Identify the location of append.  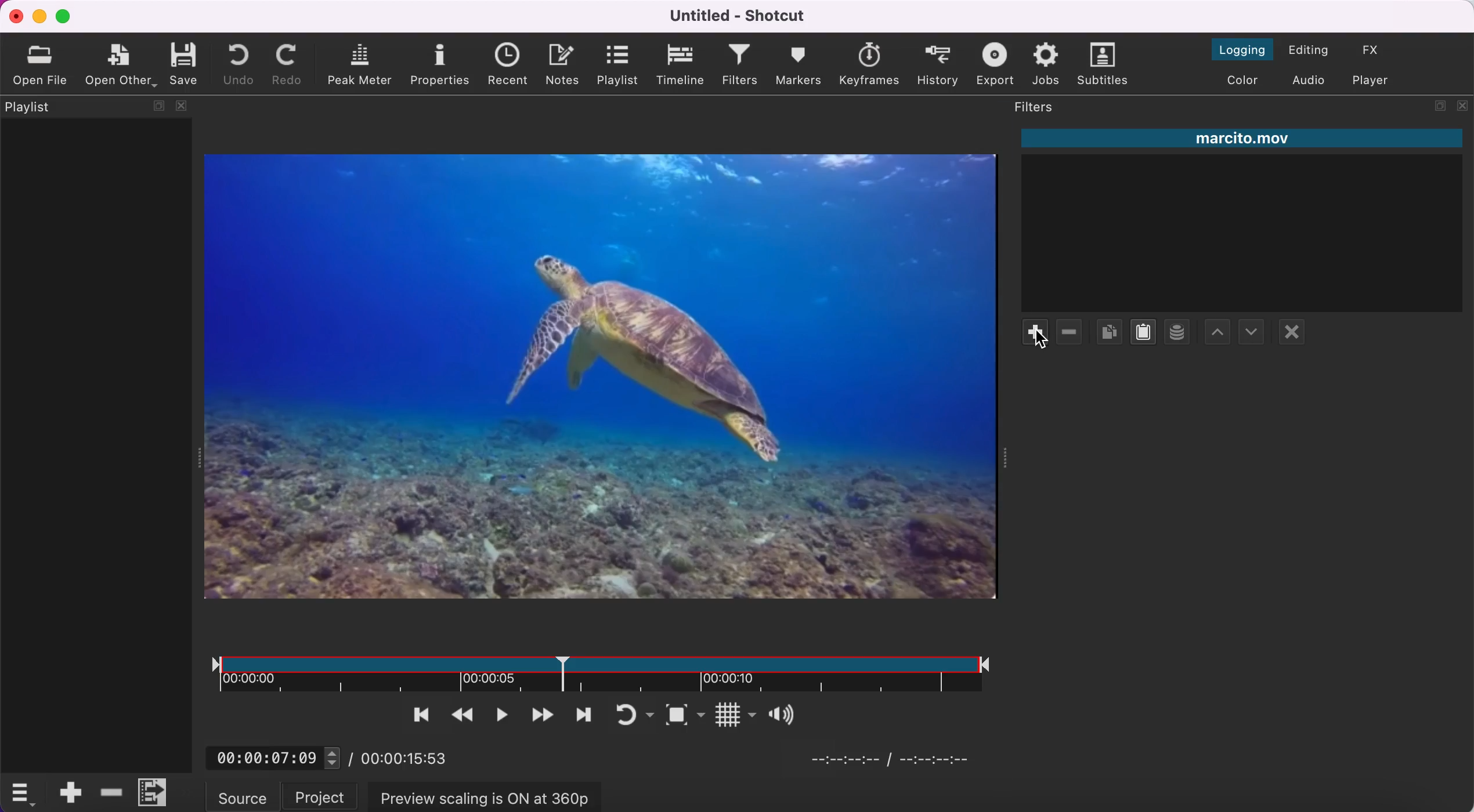
(68, 792).